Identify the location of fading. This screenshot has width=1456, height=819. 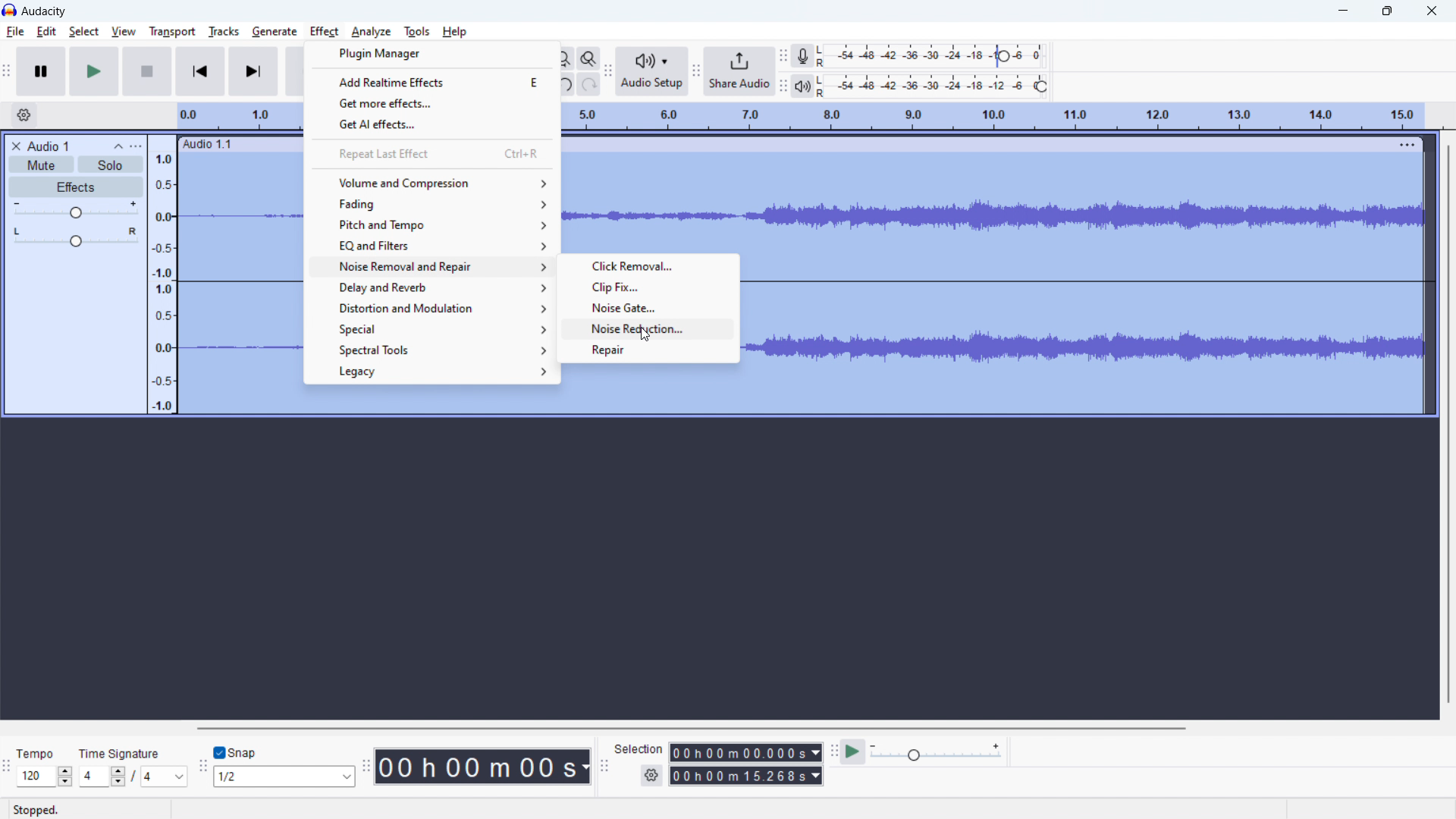
(431, 204).